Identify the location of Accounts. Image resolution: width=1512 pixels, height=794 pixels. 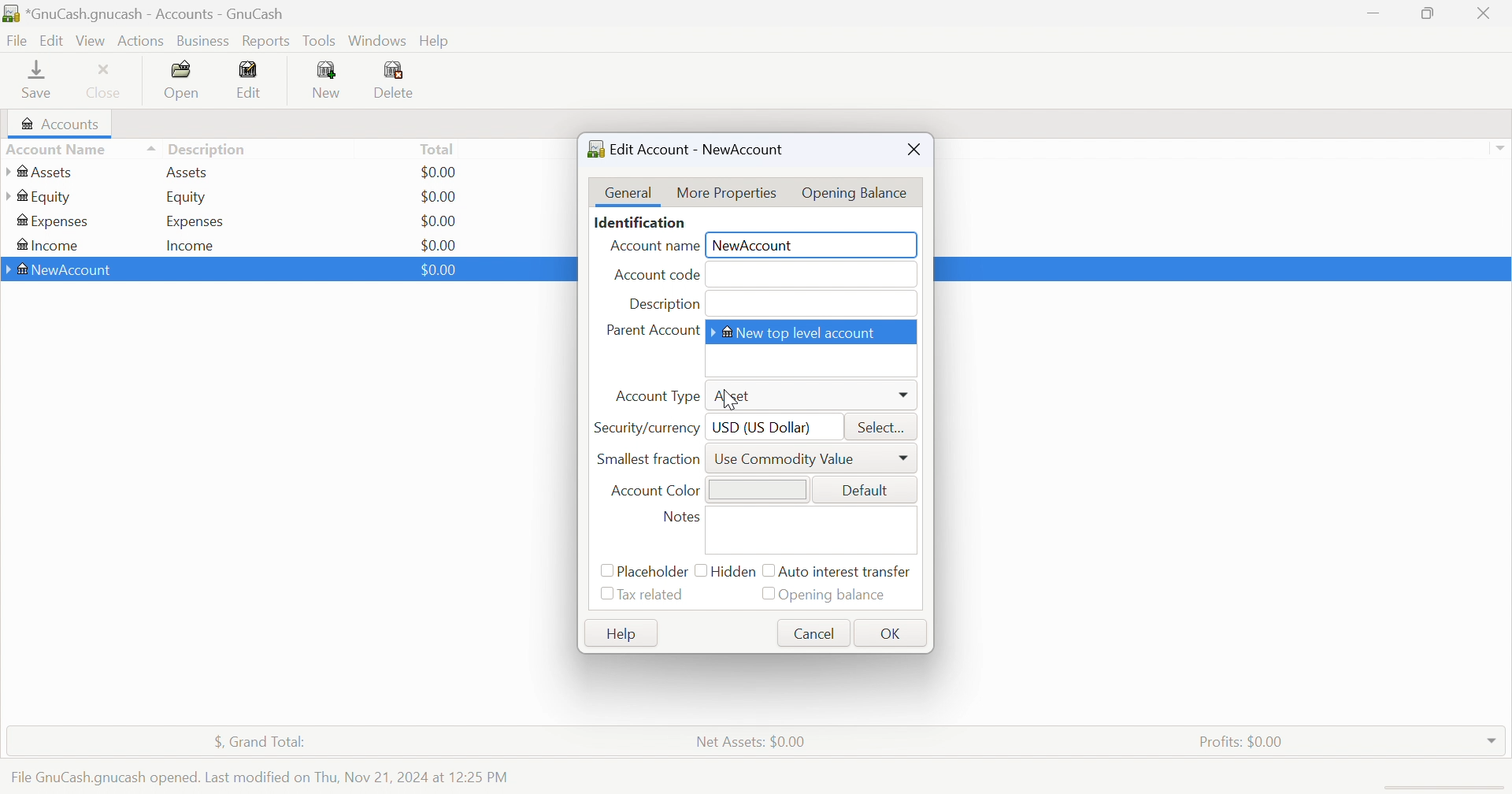
(57, 124).